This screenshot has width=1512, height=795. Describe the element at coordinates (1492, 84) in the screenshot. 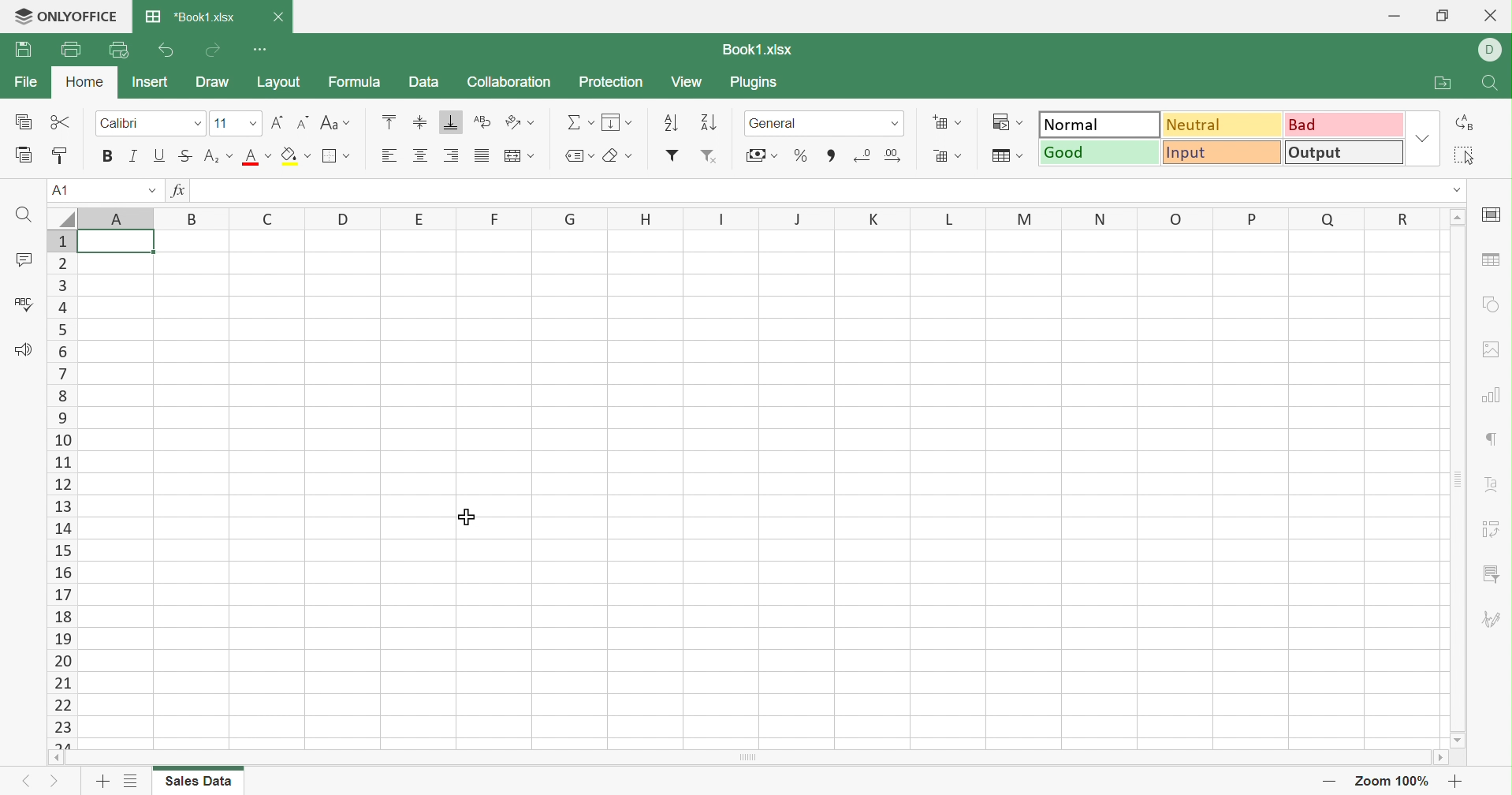

I see `Search` at that location.